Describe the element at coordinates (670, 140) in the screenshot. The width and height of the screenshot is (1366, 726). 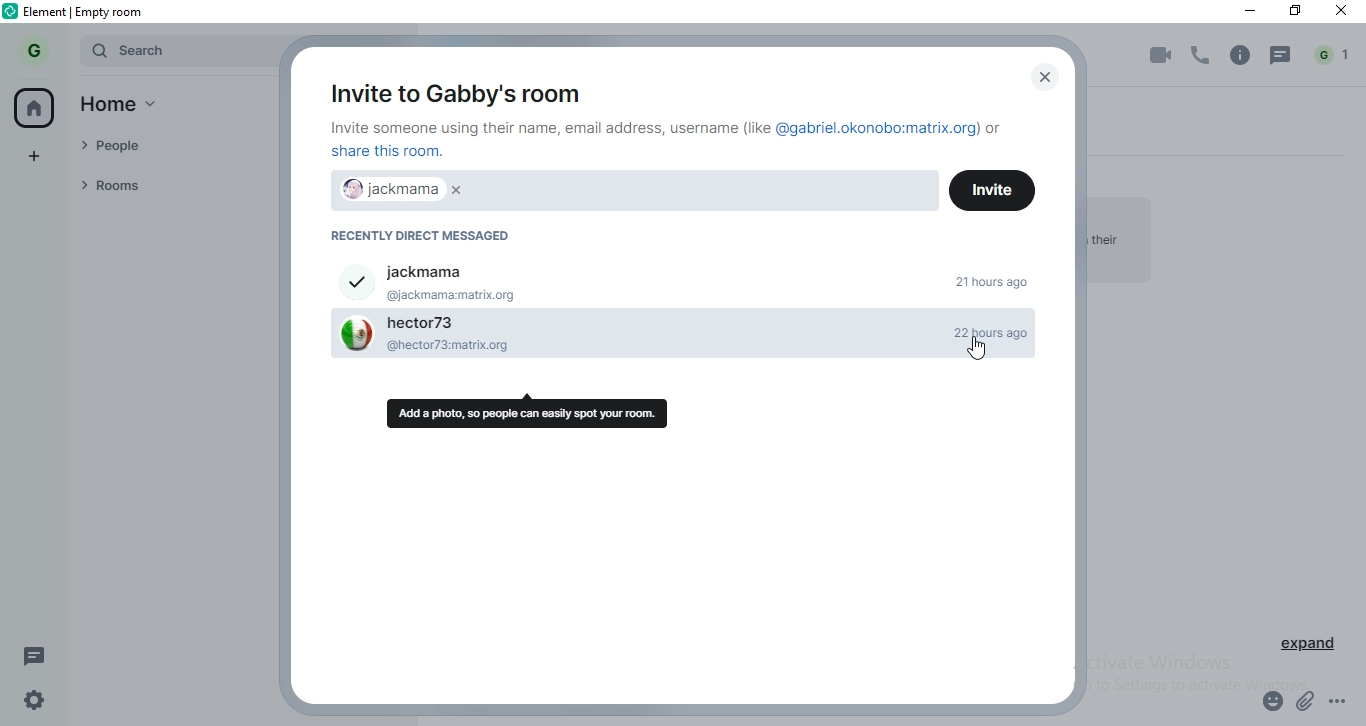
I see `text 1` at that location.